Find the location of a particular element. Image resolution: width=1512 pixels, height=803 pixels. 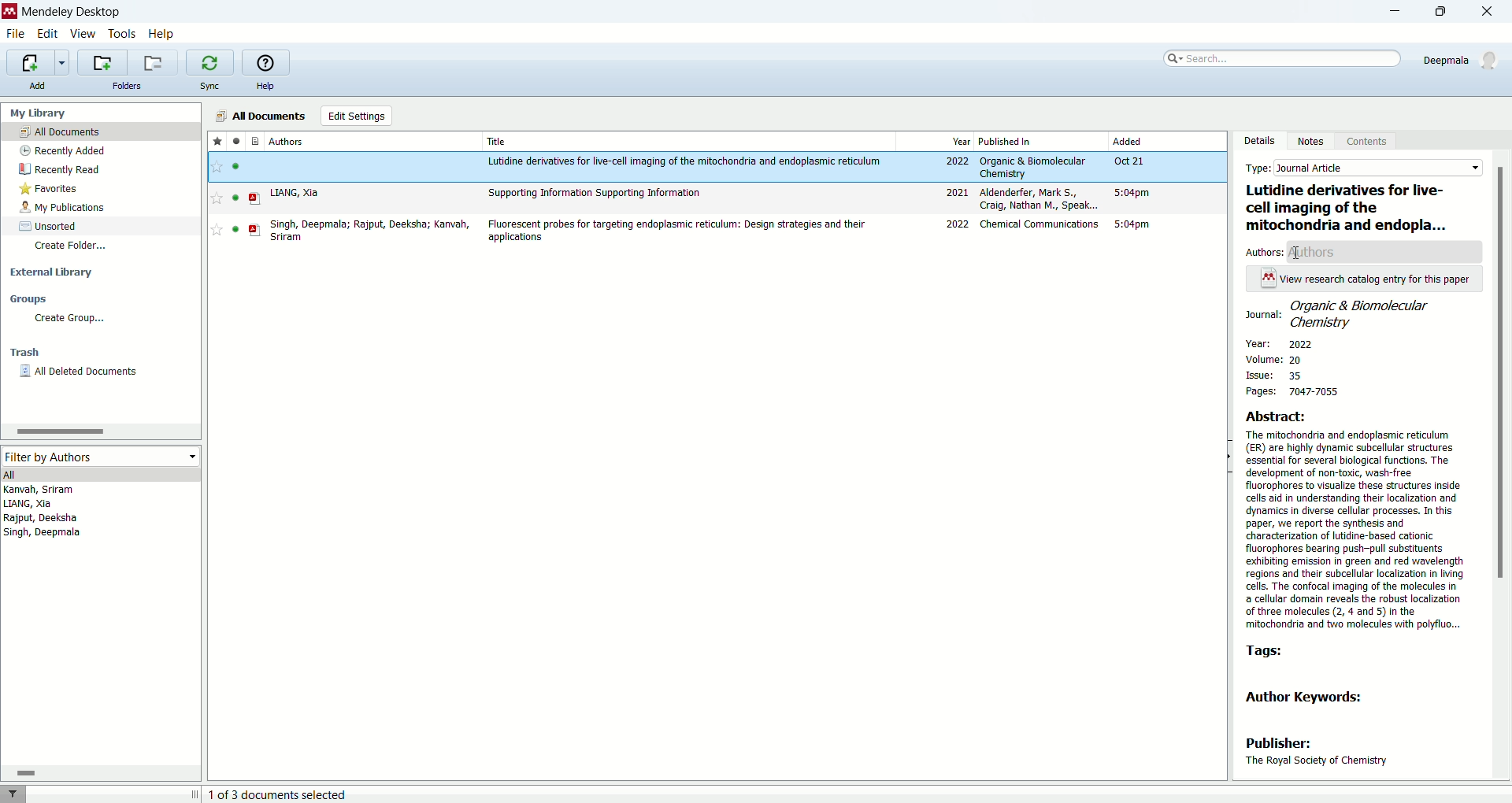

help is located at coordinates (163, 34).